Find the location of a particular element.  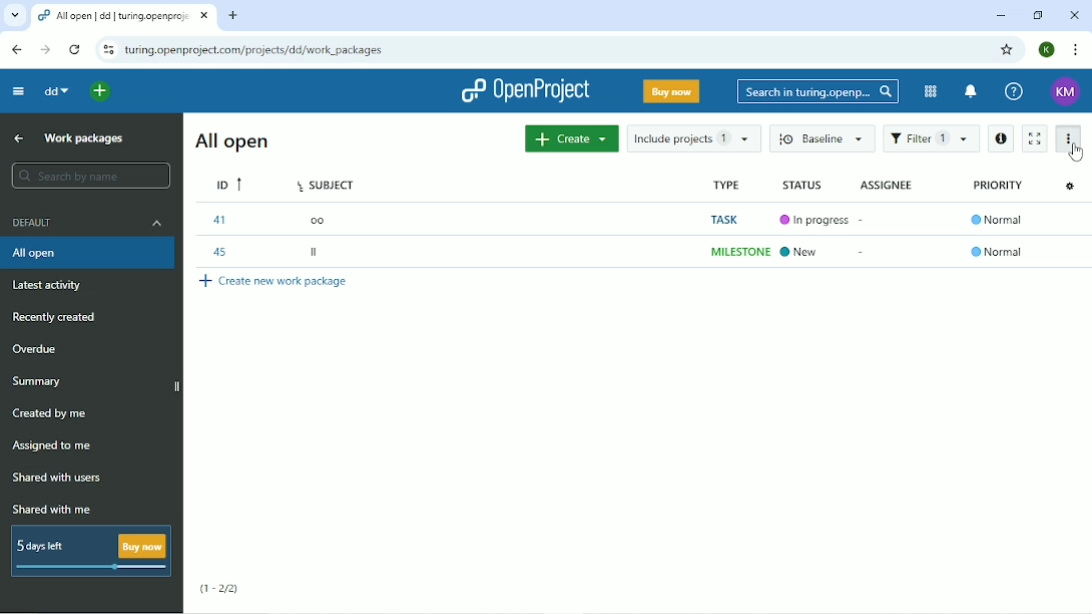

backward is located at coordinates (14, 49).